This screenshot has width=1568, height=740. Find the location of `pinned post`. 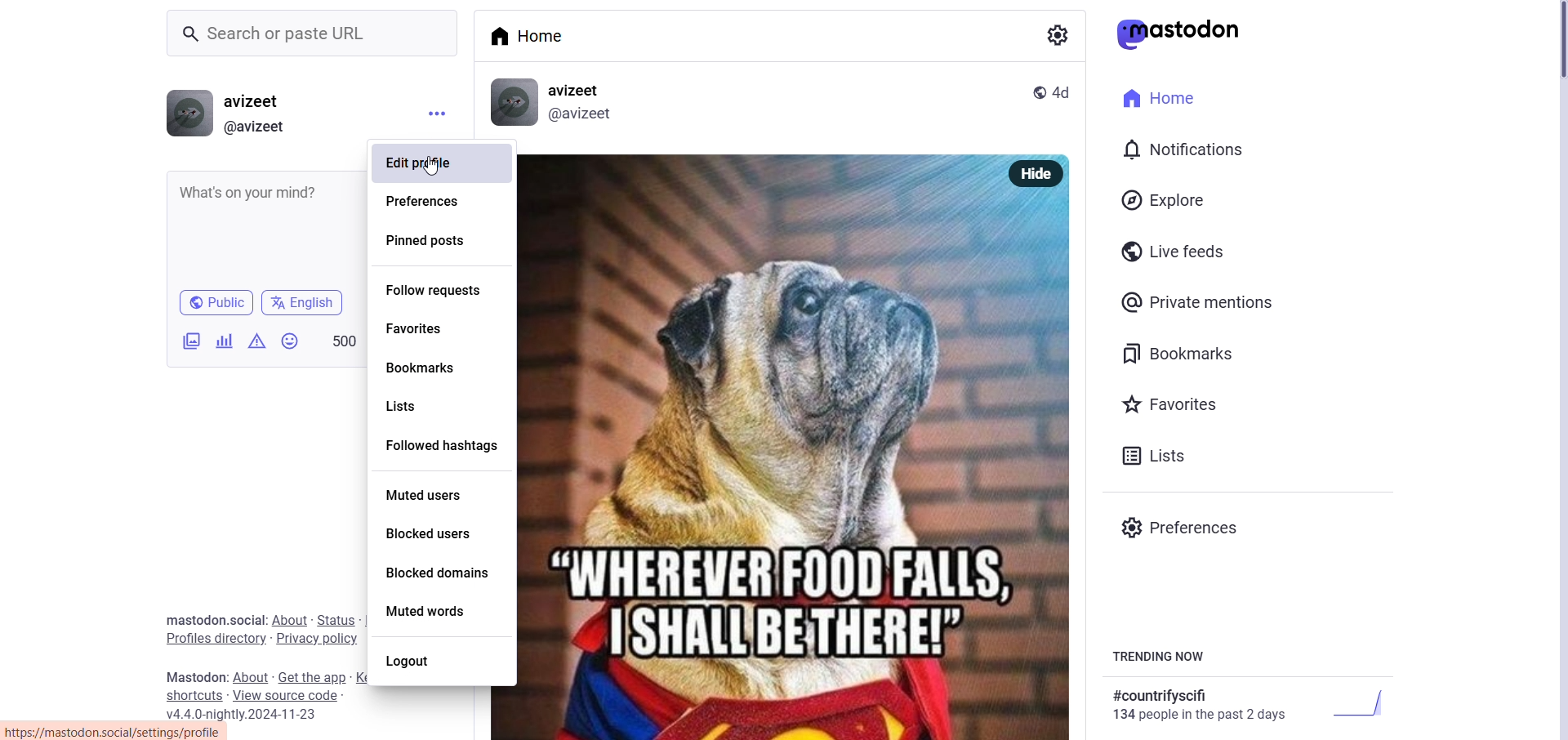

pinned post is located at coordinates (429, 241).